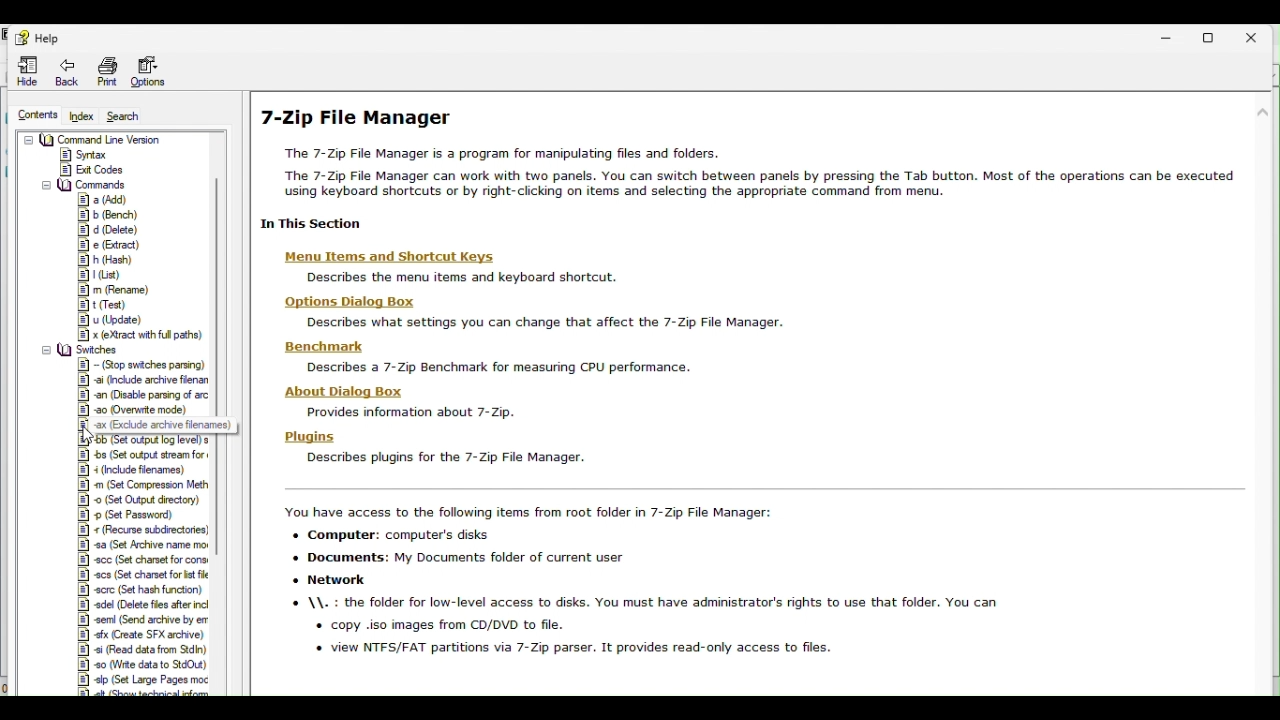 The width and height of the screenshot is (1280, 720). Describe the element at coordinates (413, 413) in the screenshot. I see `Provides information about 7-Zip.` at that location.